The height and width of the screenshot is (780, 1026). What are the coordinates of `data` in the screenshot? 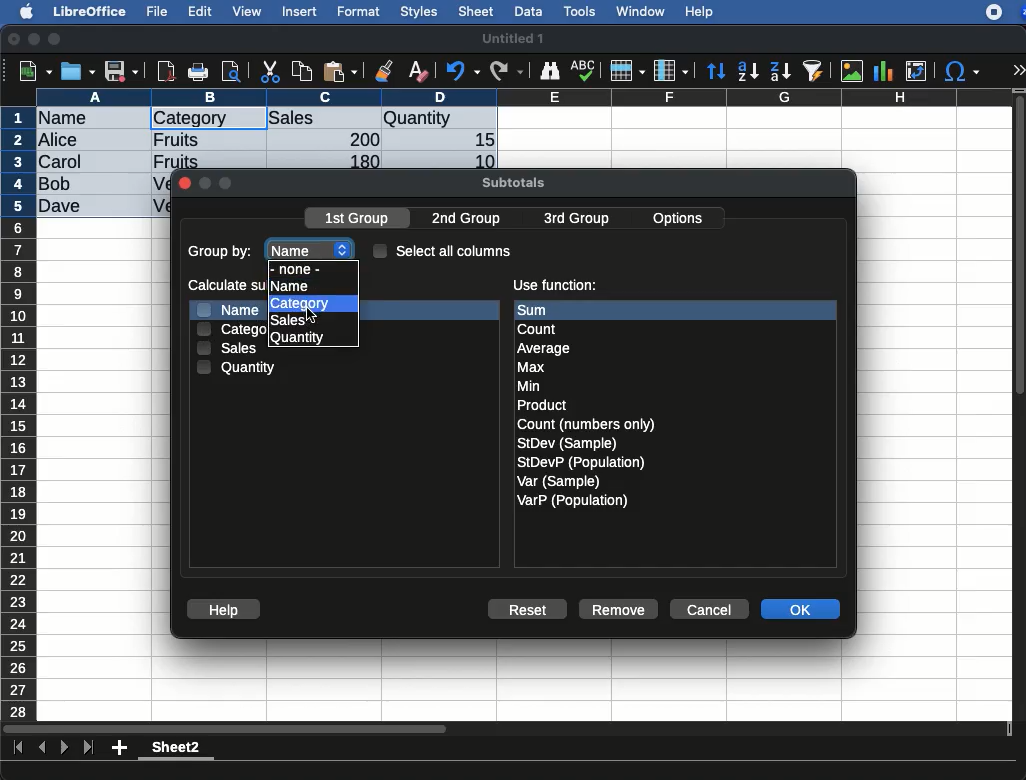 It's located at (528, 9).